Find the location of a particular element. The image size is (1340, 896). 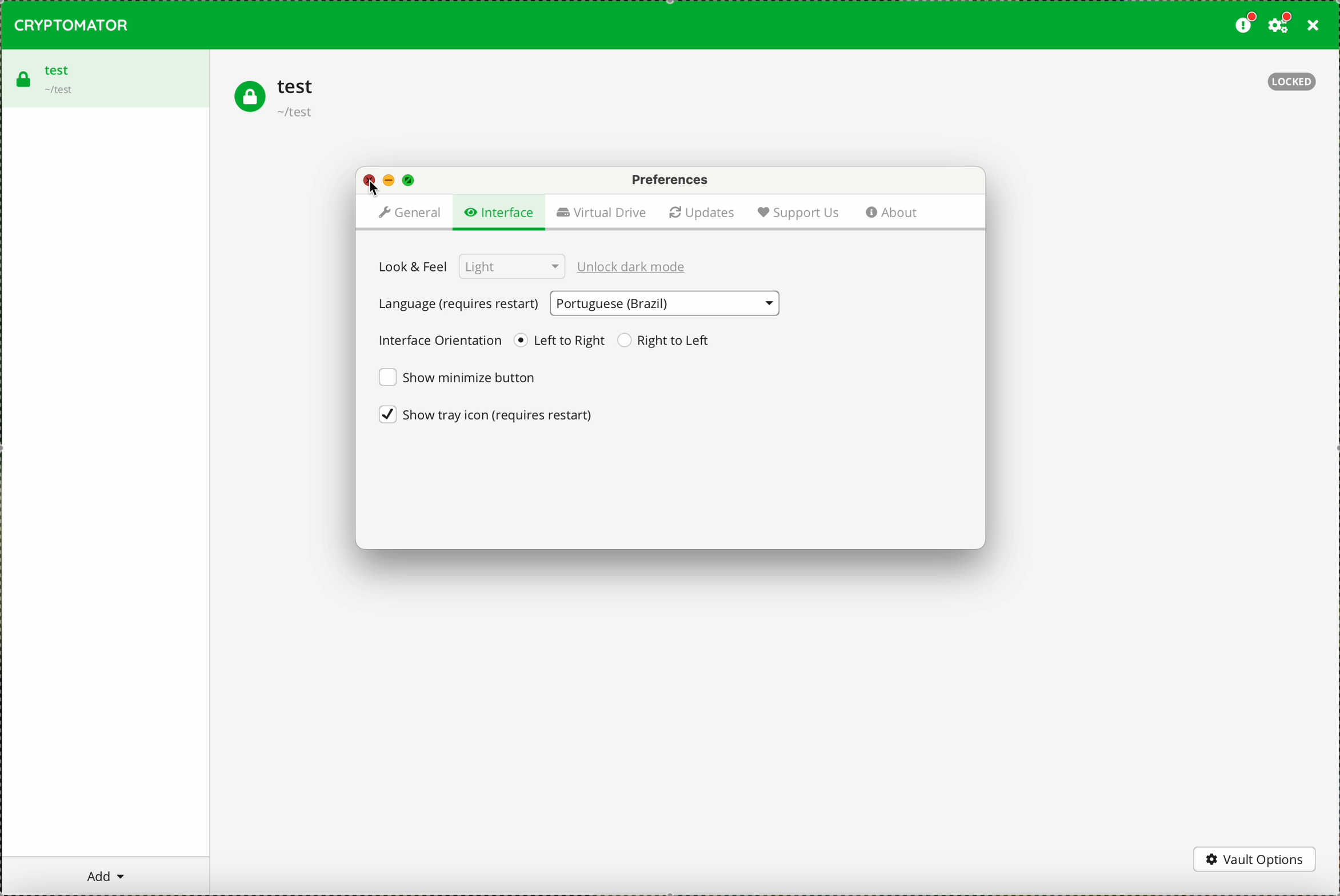

left to right is located at coordinates (561, 340).